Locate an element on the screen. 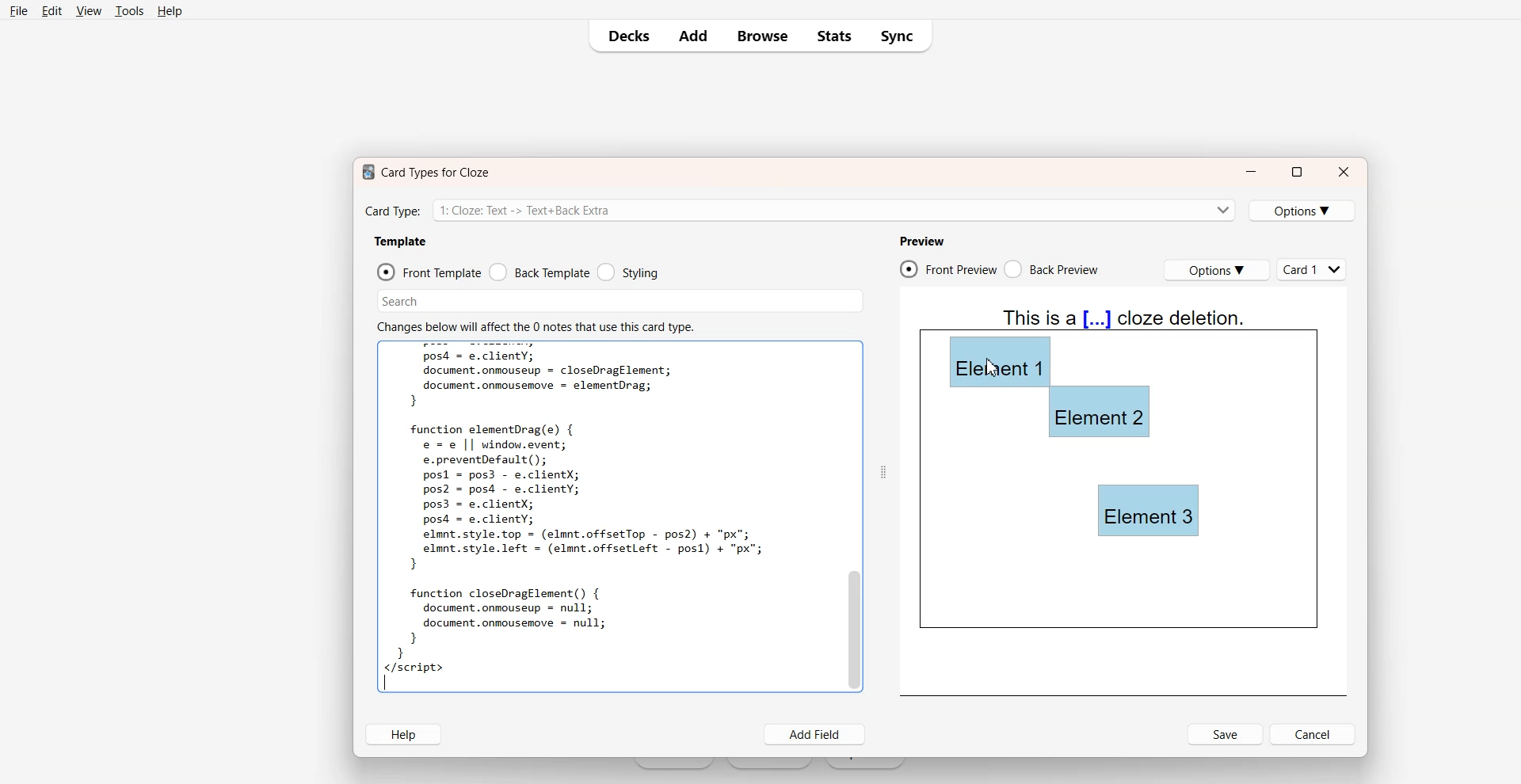 This screenshot has height=784, width=1521. Tools is located at coordinates (128, 11).